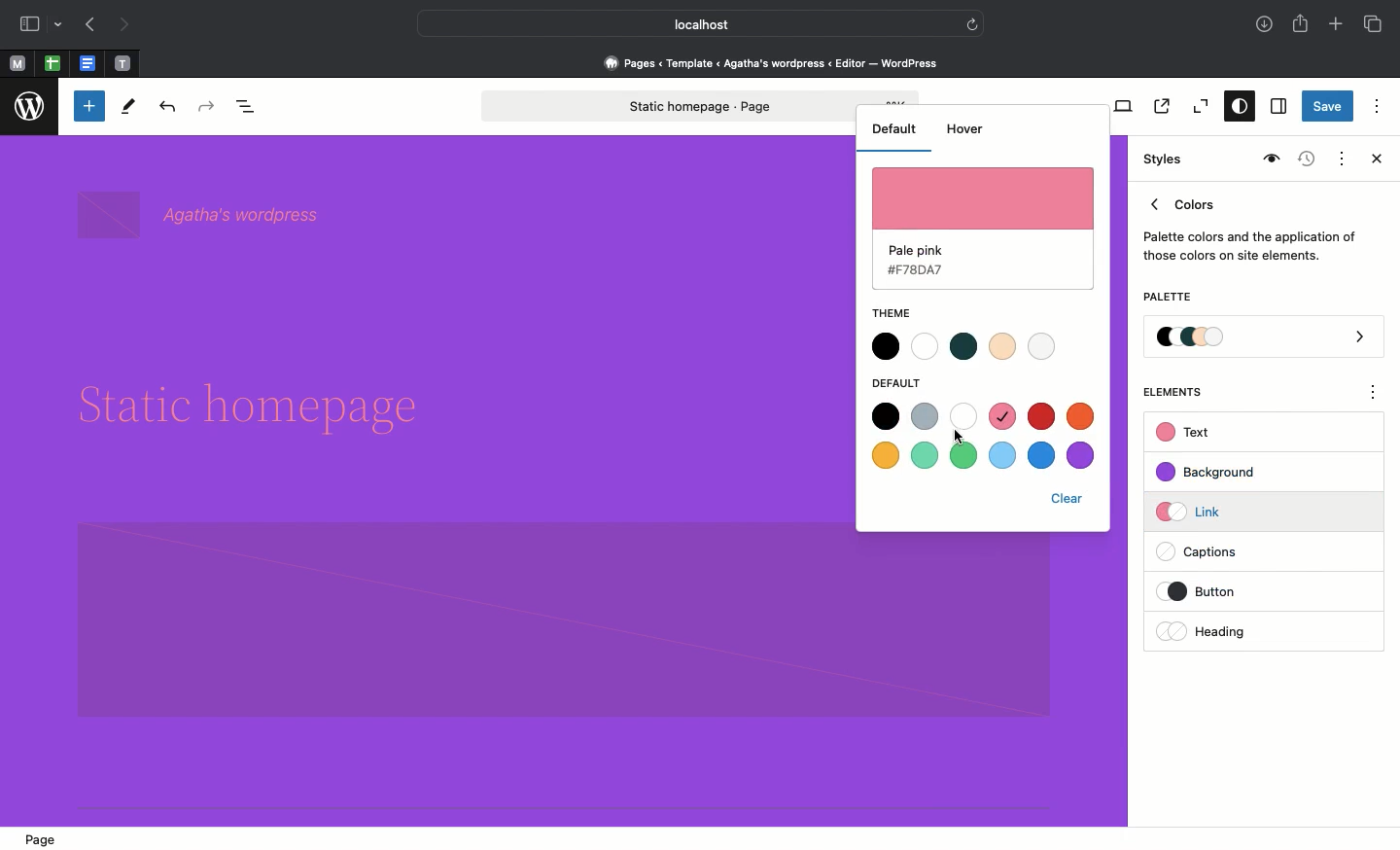 The width and height of the screenshot is (1400, 850). I want to click on Pinned tab, so click(17, 64).